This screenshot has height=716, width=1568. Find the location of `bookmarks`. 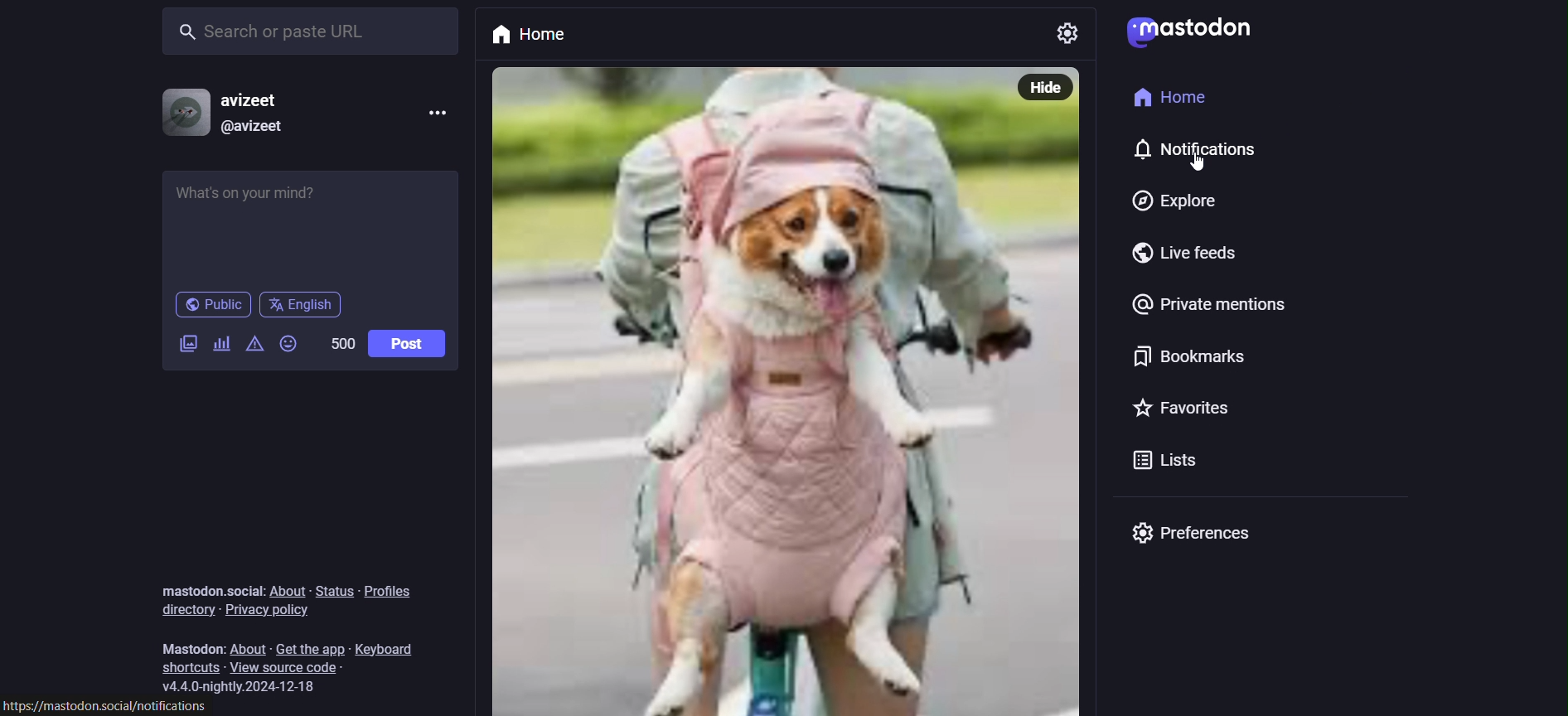

bookmarks is located at coordinates (1184, 361).